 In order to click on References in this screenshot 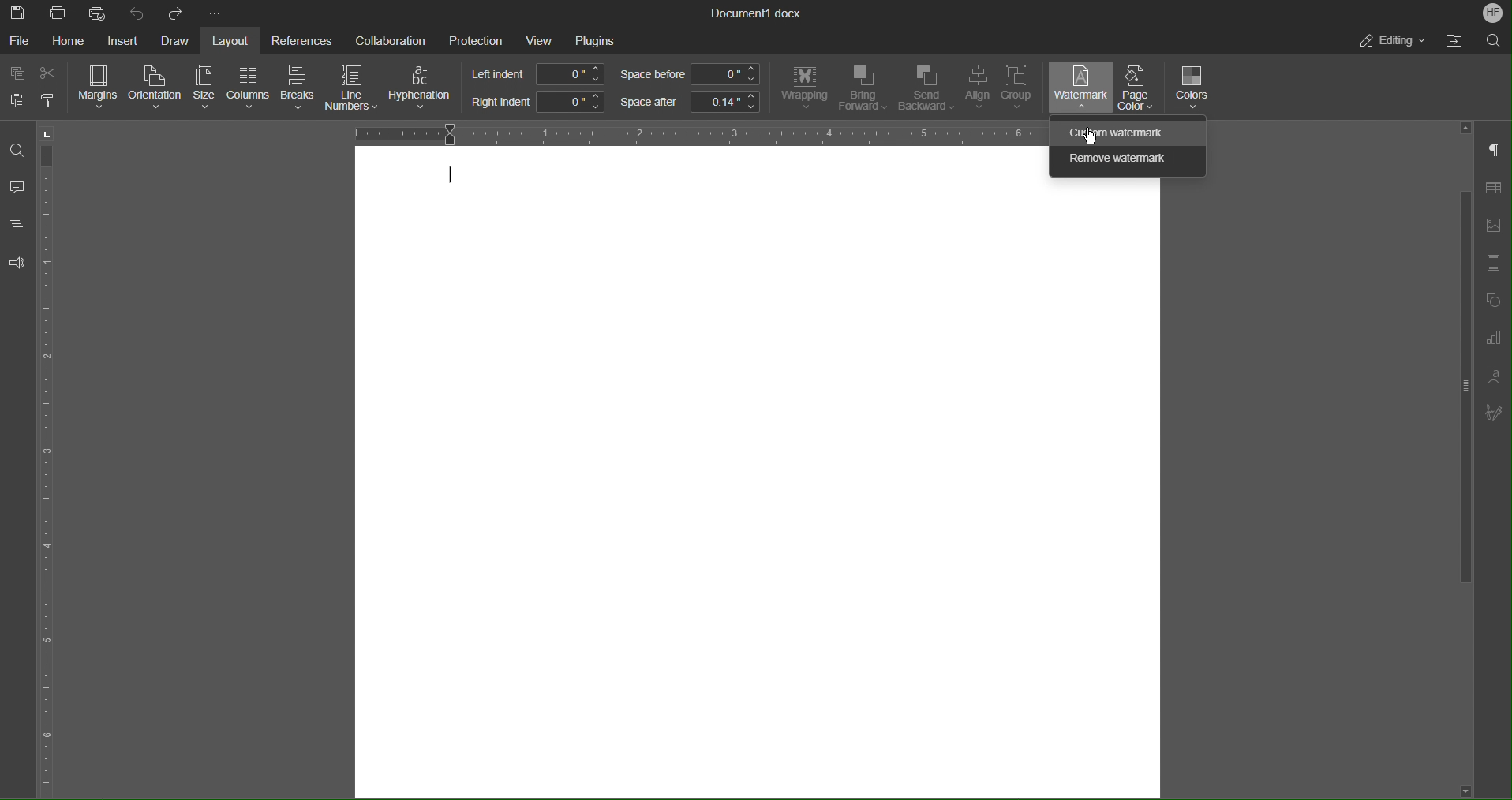, I will do `click(299, 40)`.